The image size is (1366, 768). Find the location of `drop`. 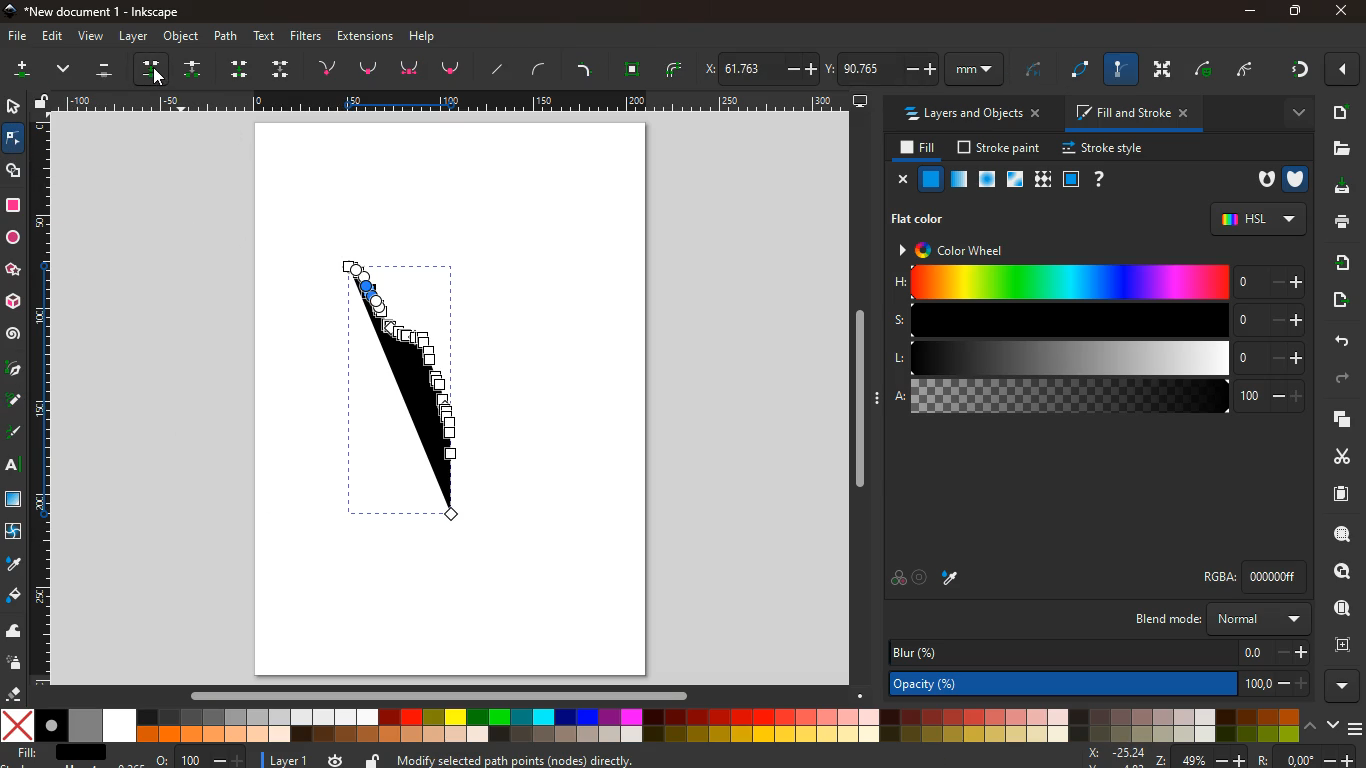

drop is located at coordinates (954, 580).